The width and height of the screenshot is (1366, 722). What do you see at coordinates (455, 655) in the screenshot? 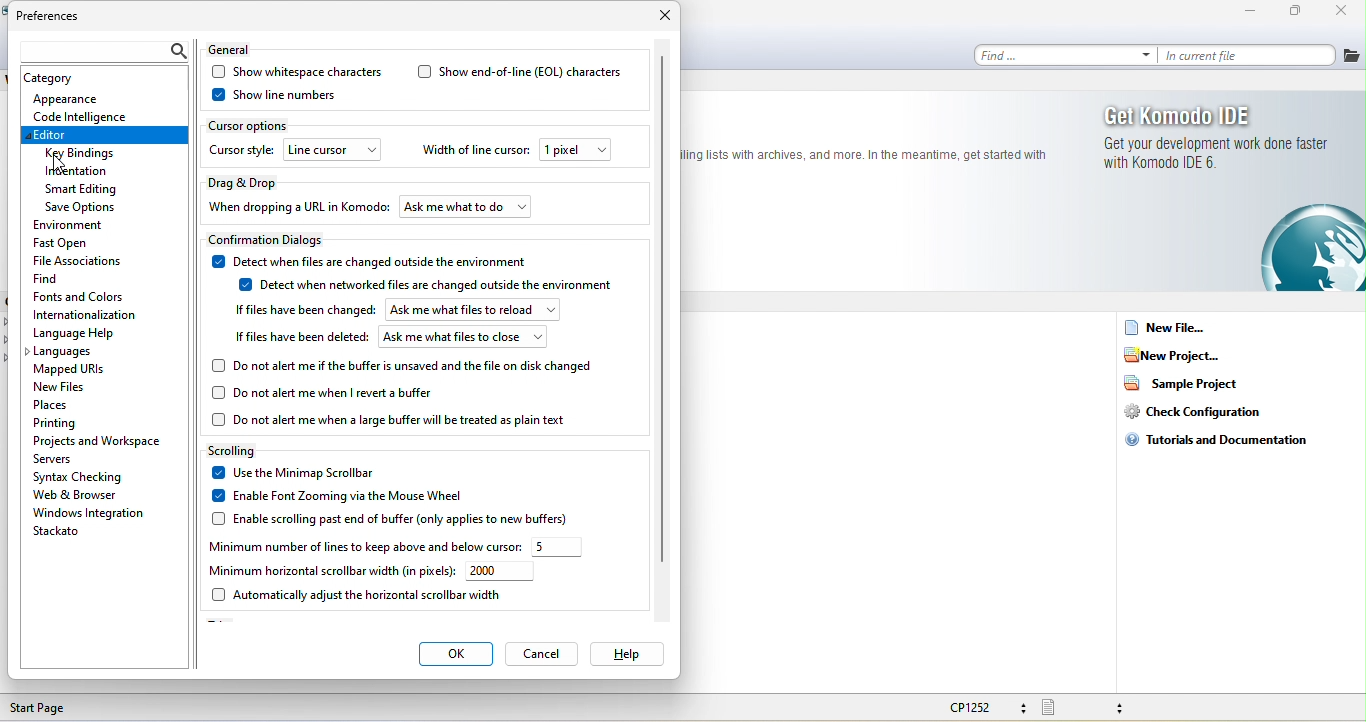
I see `ok` at bounding box center [455, 655].